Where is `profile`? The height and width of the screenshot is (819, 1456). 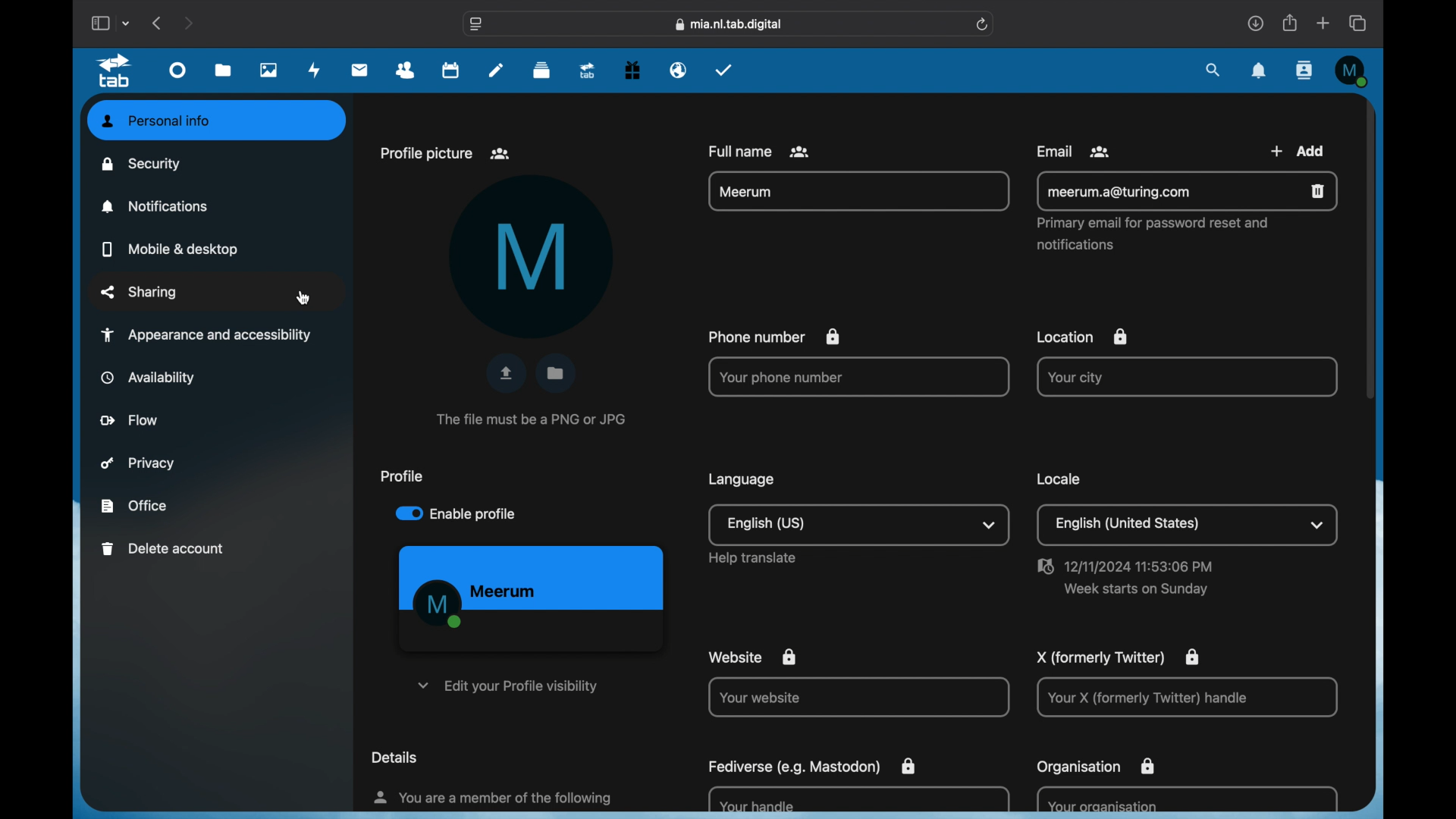
profile is located at coordinates (401, 475).